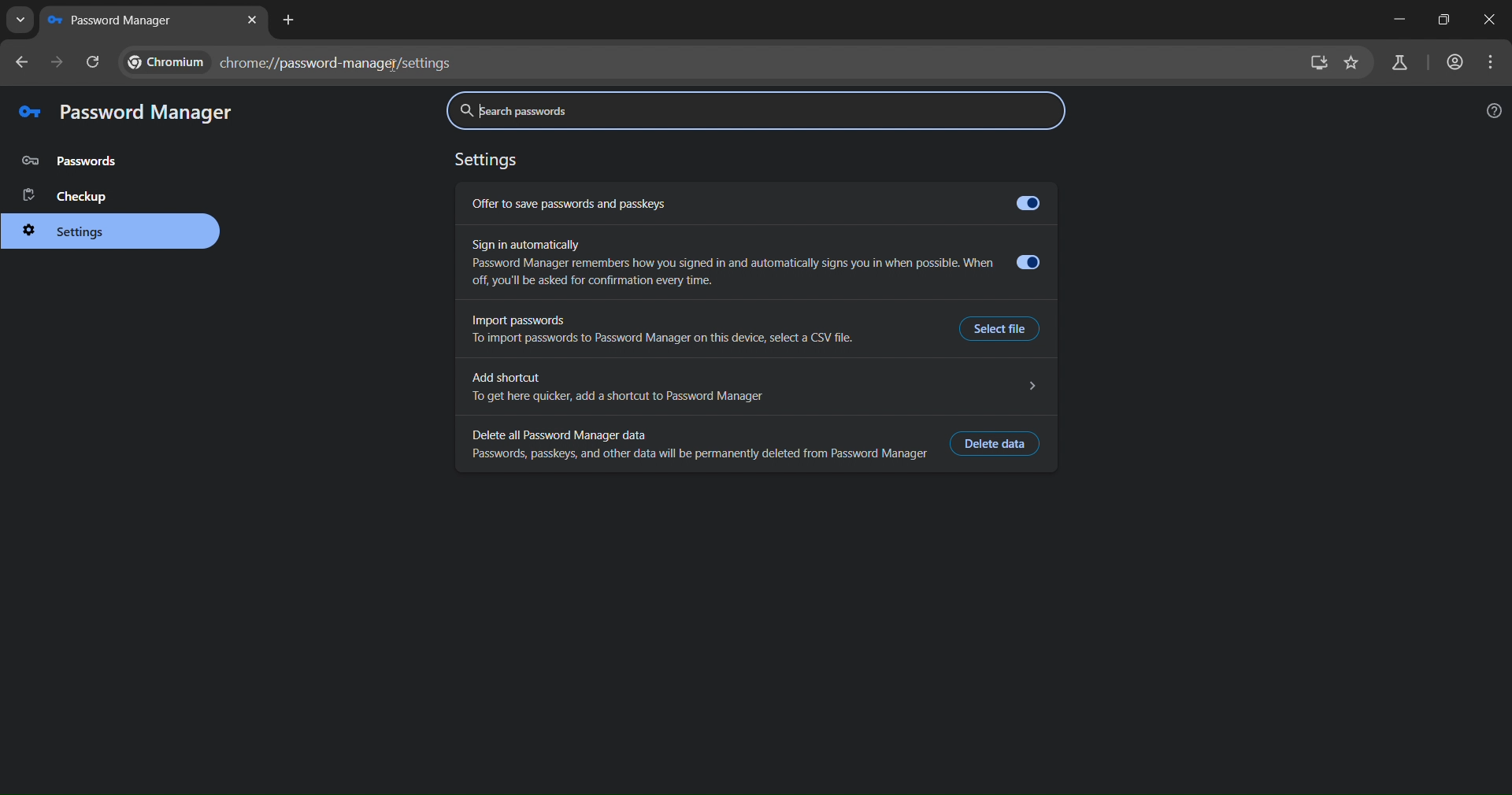 Image resolution: width=1512 pixels, height=795 pixels. What do you see at coordinates (1495, 111) in the screenshot?
I see `help` at bounding box center [1495, 111].